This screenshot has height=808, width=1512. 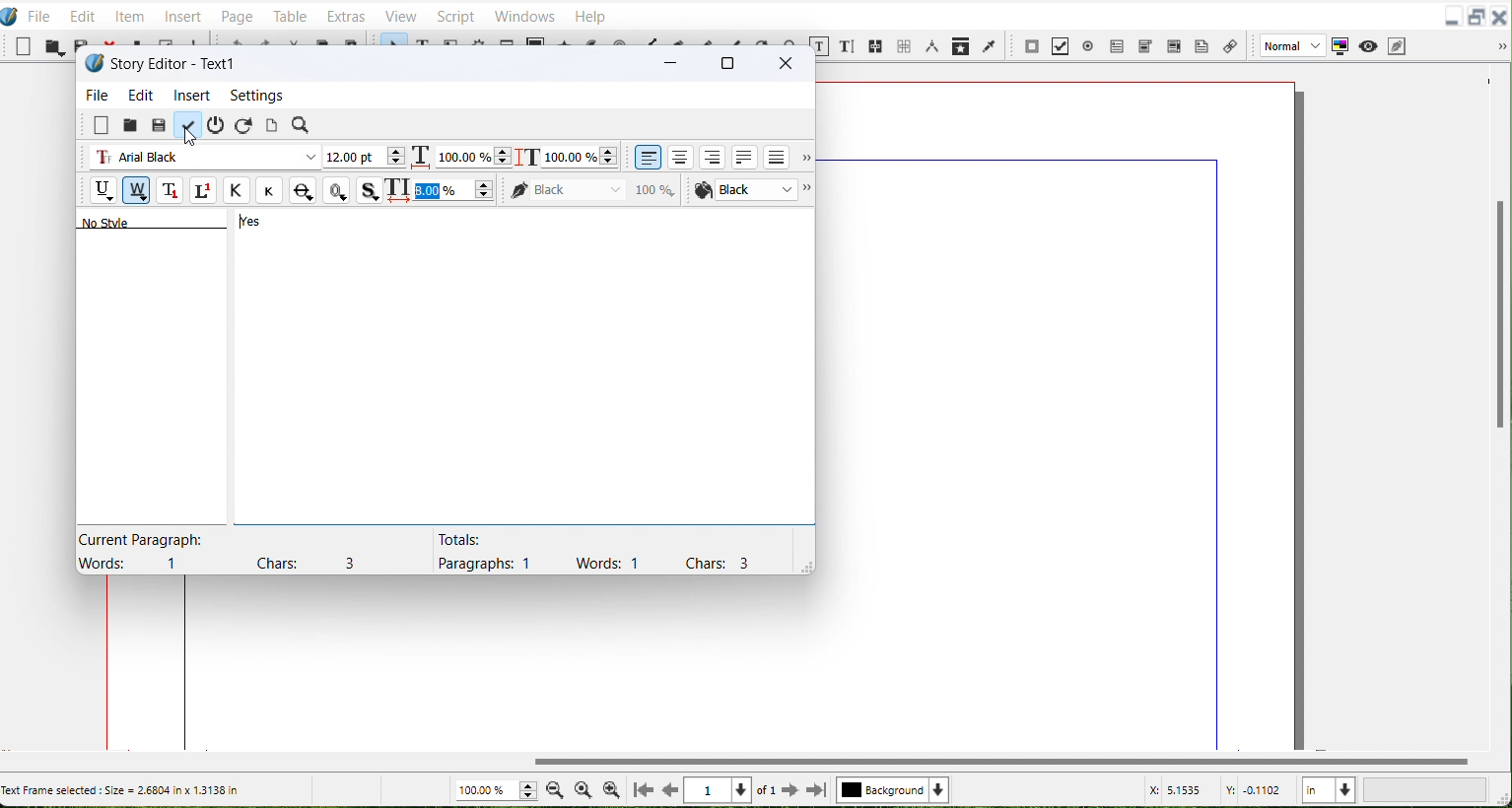 I want to click on PDF Combo box, so click(x=1146, y=44).